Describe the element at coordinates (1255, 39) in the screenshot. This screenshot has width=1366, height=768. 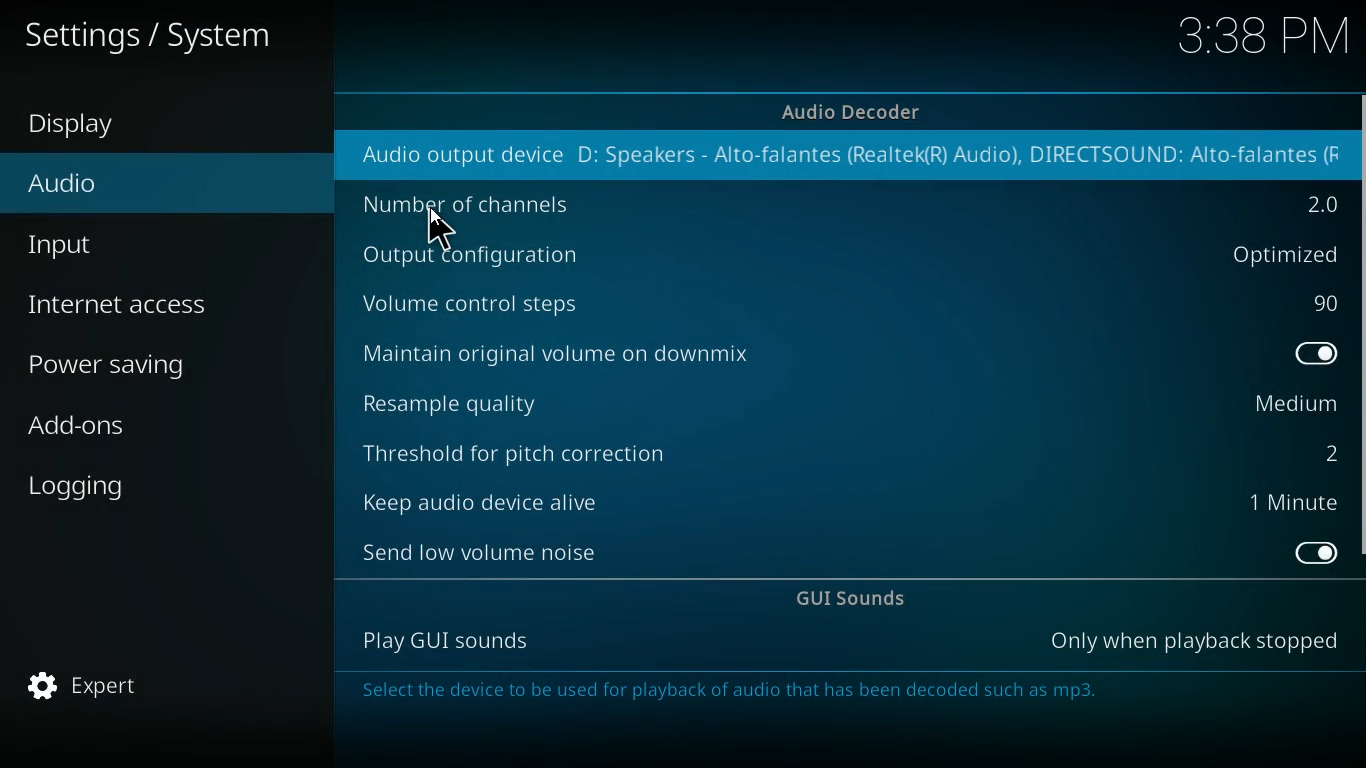
I see `3:38 Pm` at that location.